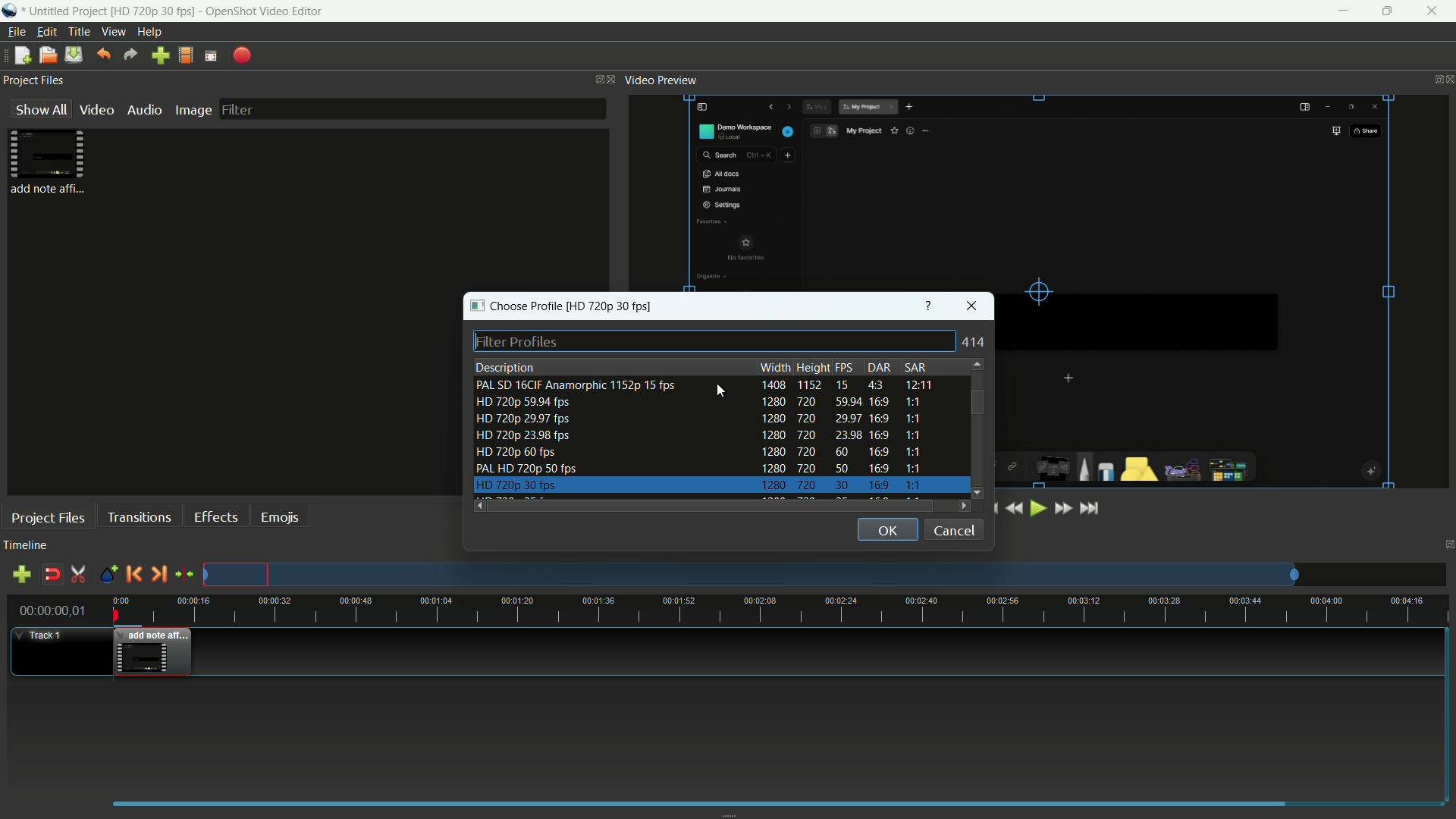 This screenshot has width=1456, height=819. What do you see at coordinates (595, 79) in the screenshot?
I see `change layout` at bounding box center [595, 79].